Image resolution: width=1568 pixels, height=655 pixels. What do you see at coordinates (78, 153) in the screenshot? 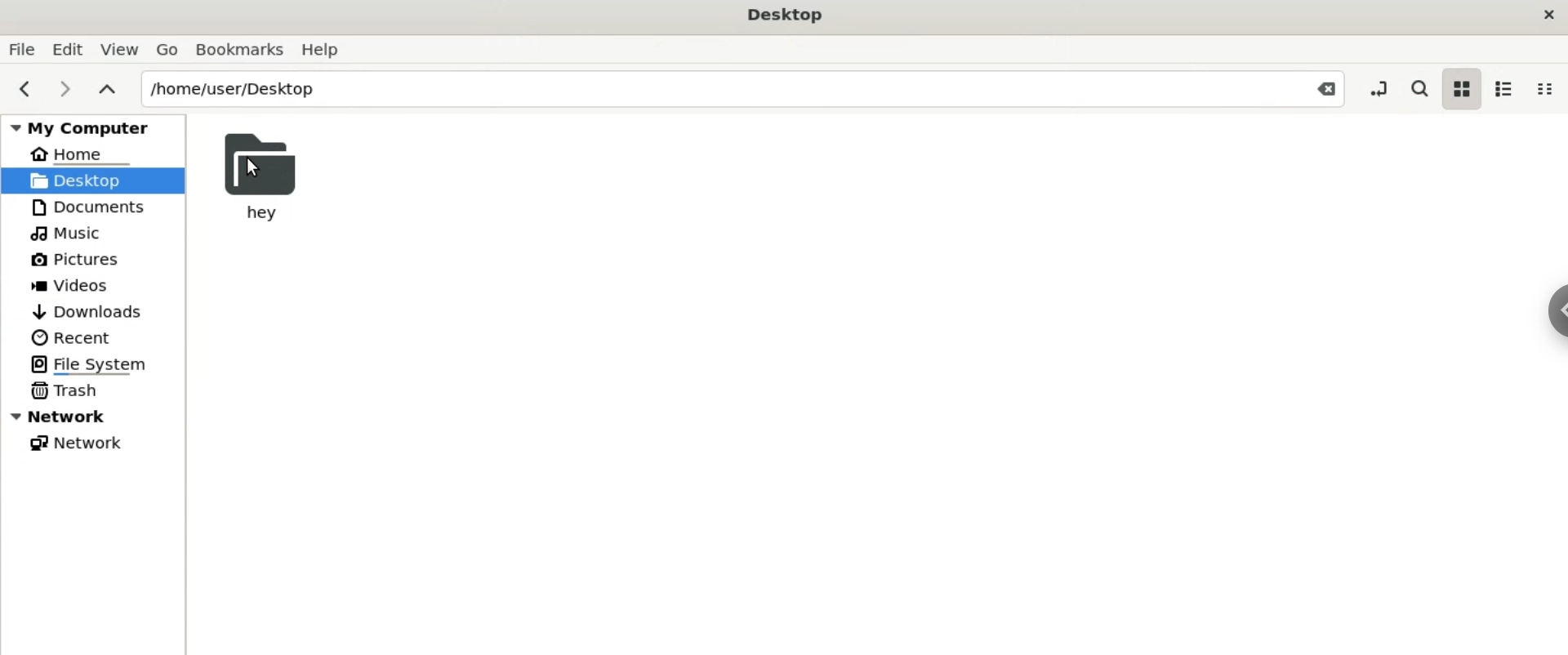
I see `home` at bounding box center [78, 153].